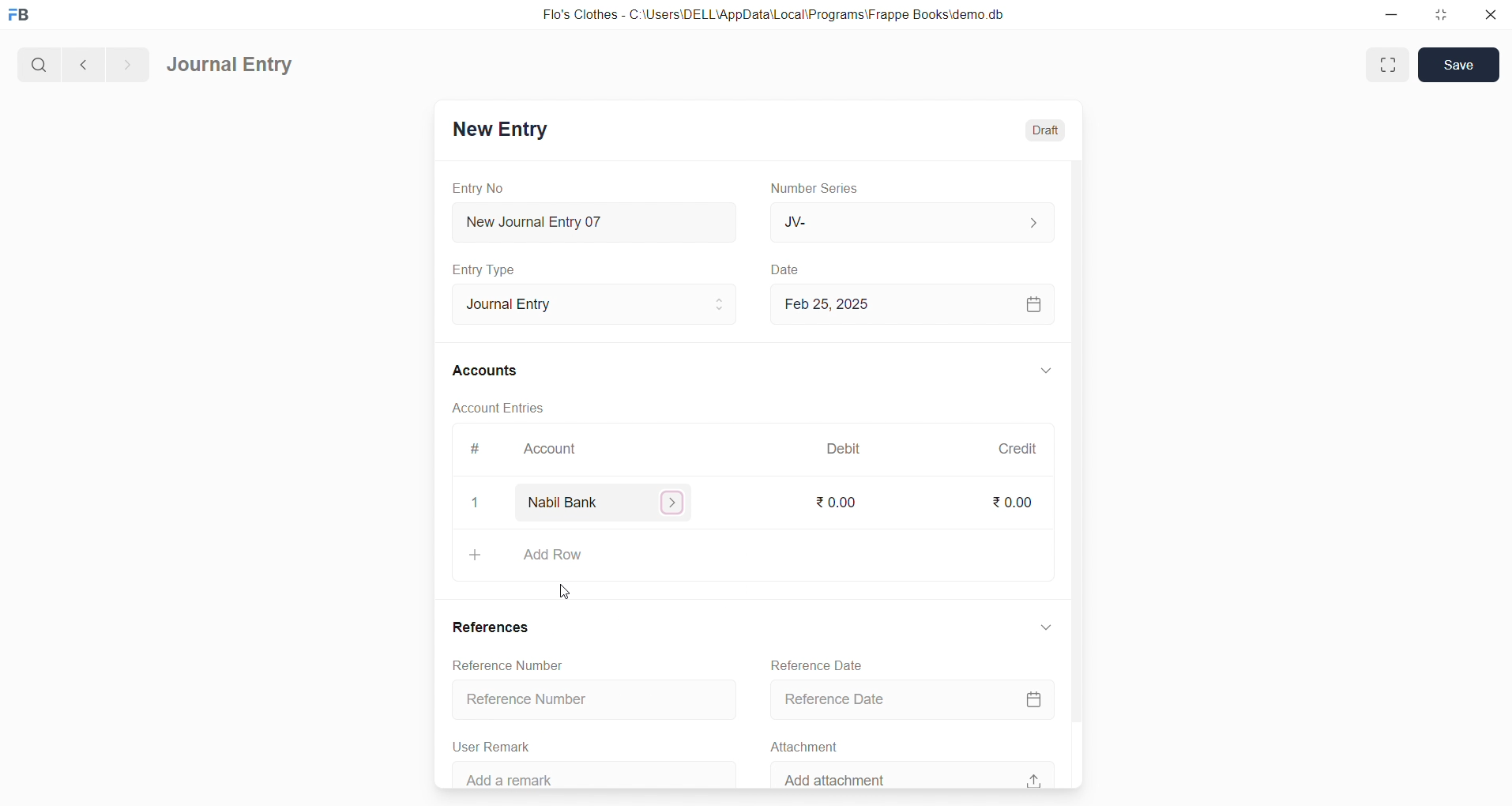 Image resolution: width=1512 pixels, height=806 pixels. What do you see at coordinates (589, 304) in the screenshot?
I see `Journal Entry` at bounding box center [589, 304].